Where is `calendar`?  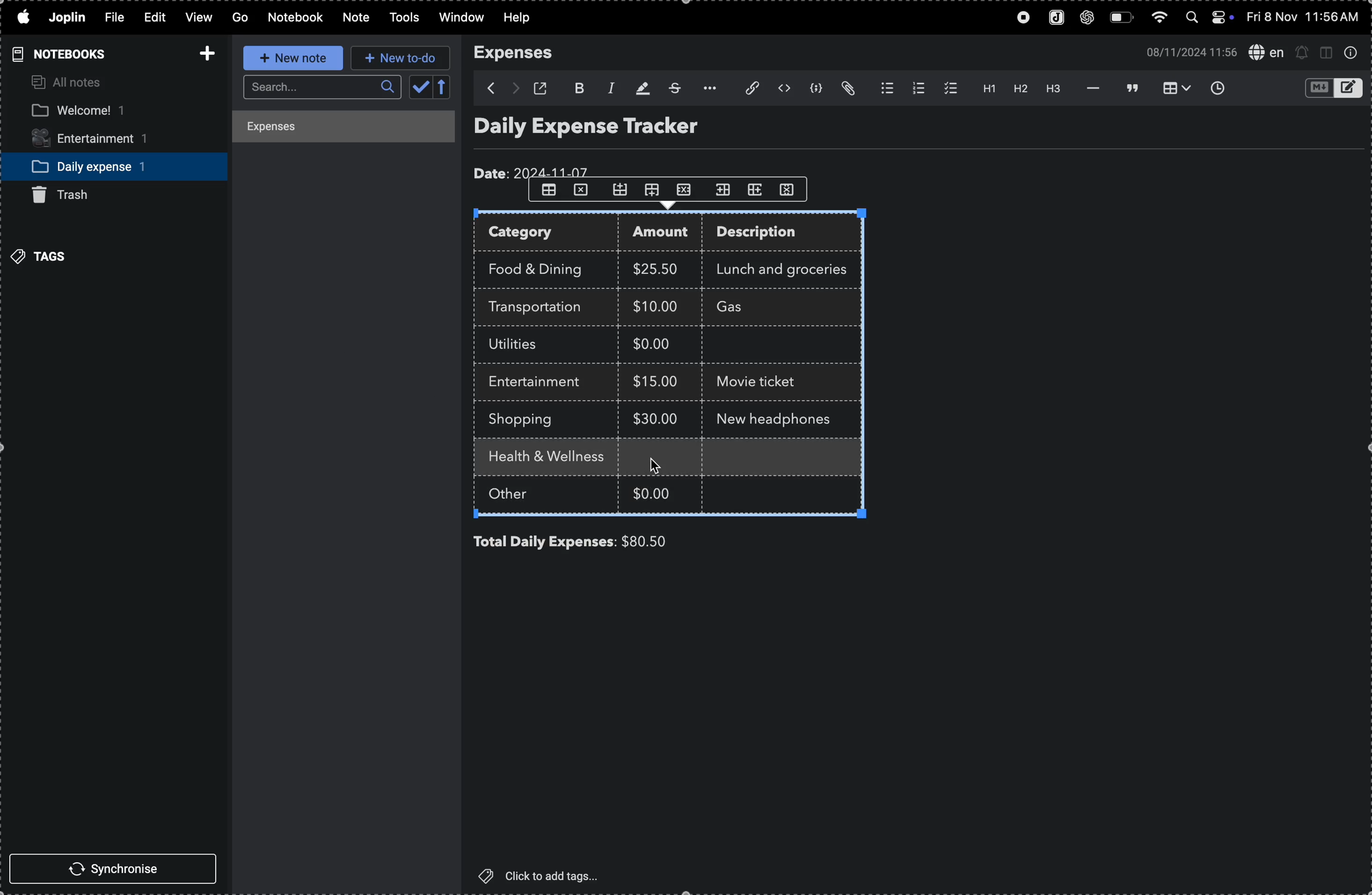
calendar is located at coordinates (431, 88).